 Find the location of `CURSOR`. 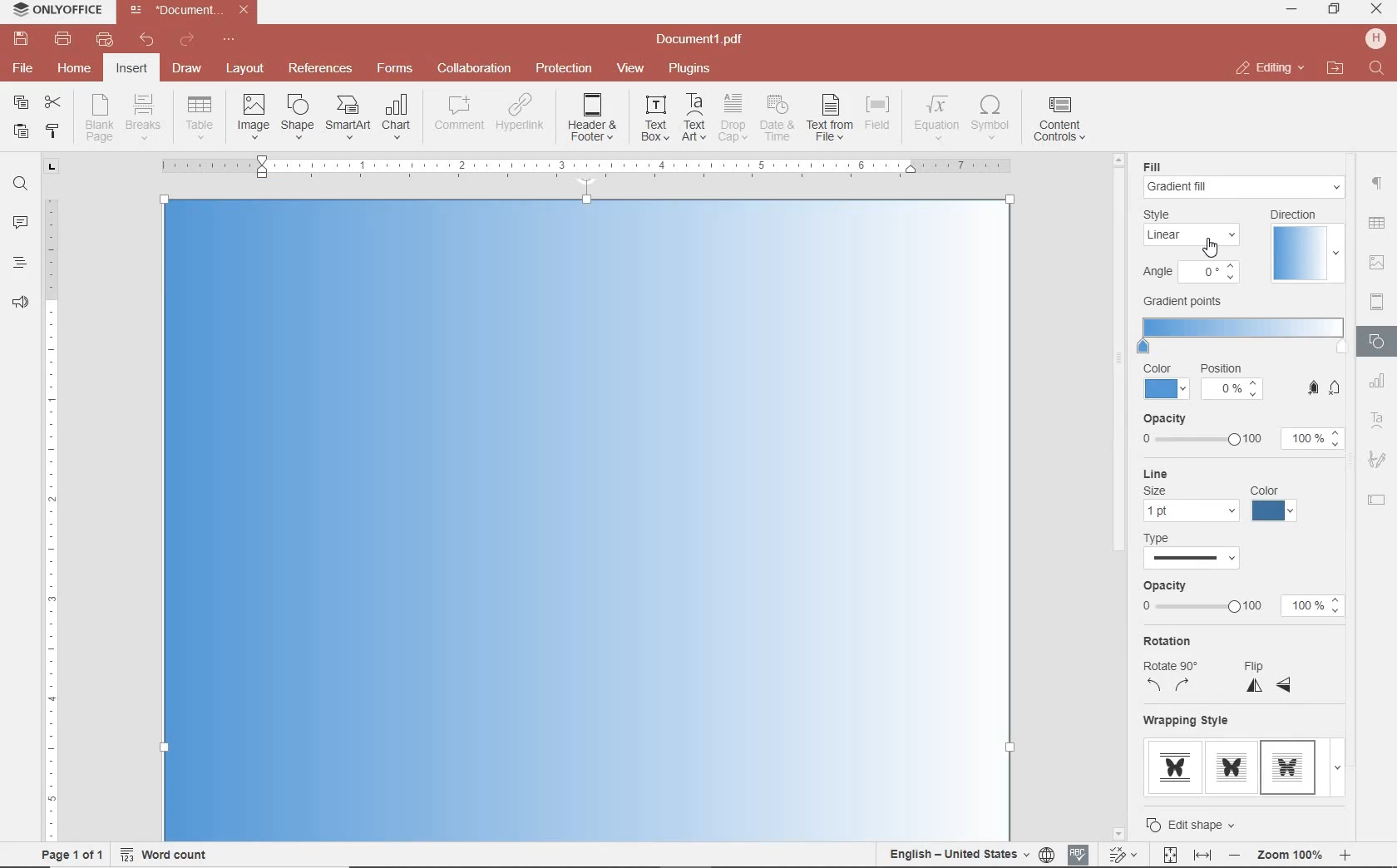

CURSOR is located at coordinates (1215, 245).